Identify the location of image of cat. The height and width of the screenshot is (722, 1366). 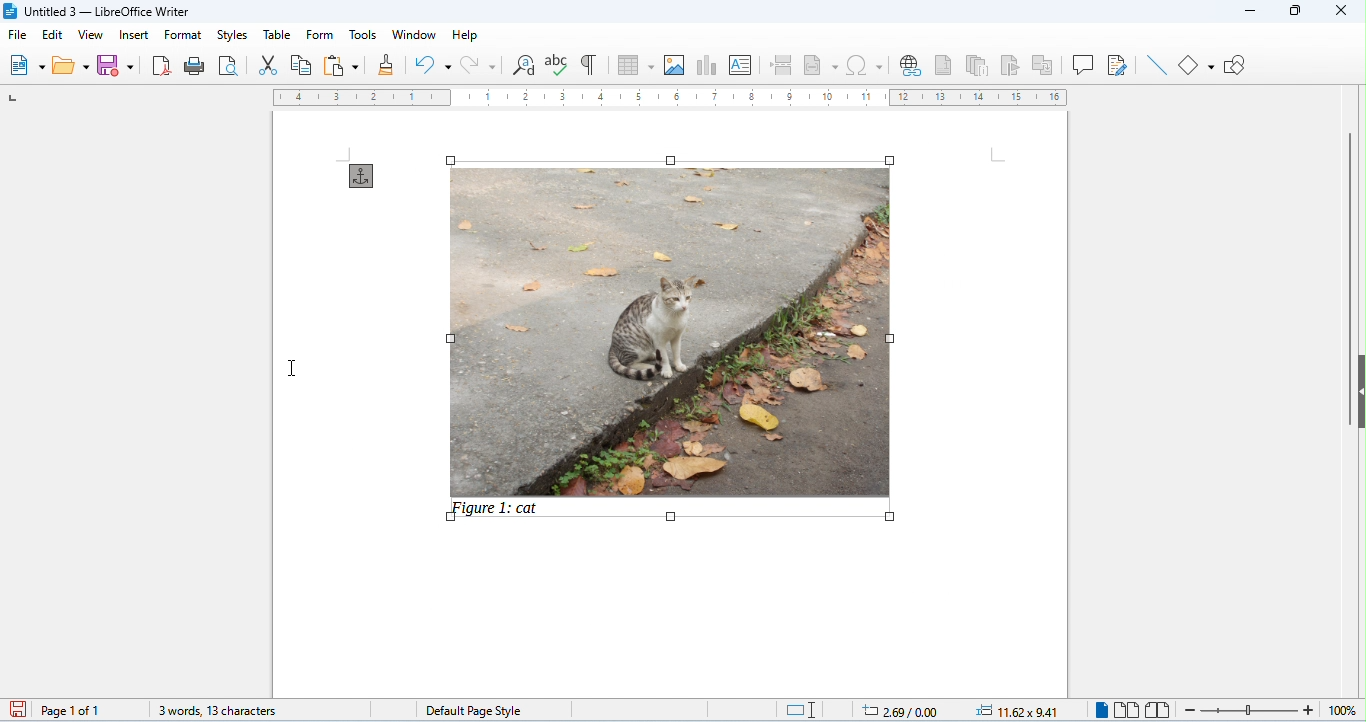
(668, 324).